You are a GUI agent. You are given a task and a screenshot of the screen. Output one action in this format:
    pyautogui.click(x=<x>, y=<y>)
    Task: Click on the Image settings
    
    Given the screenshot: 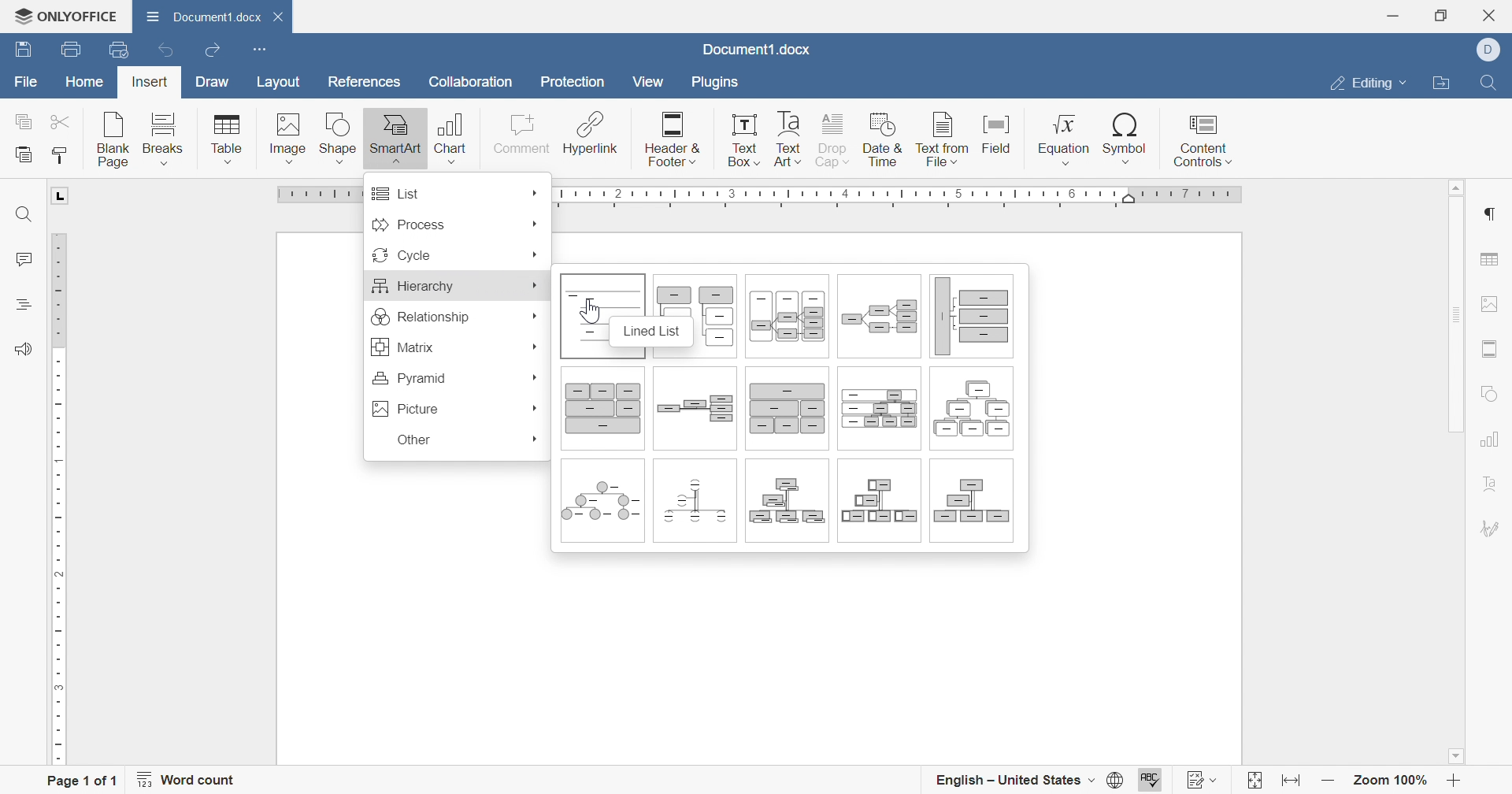 What is the action you would take?
    pyautogui.click(x=1491, y=303)
    